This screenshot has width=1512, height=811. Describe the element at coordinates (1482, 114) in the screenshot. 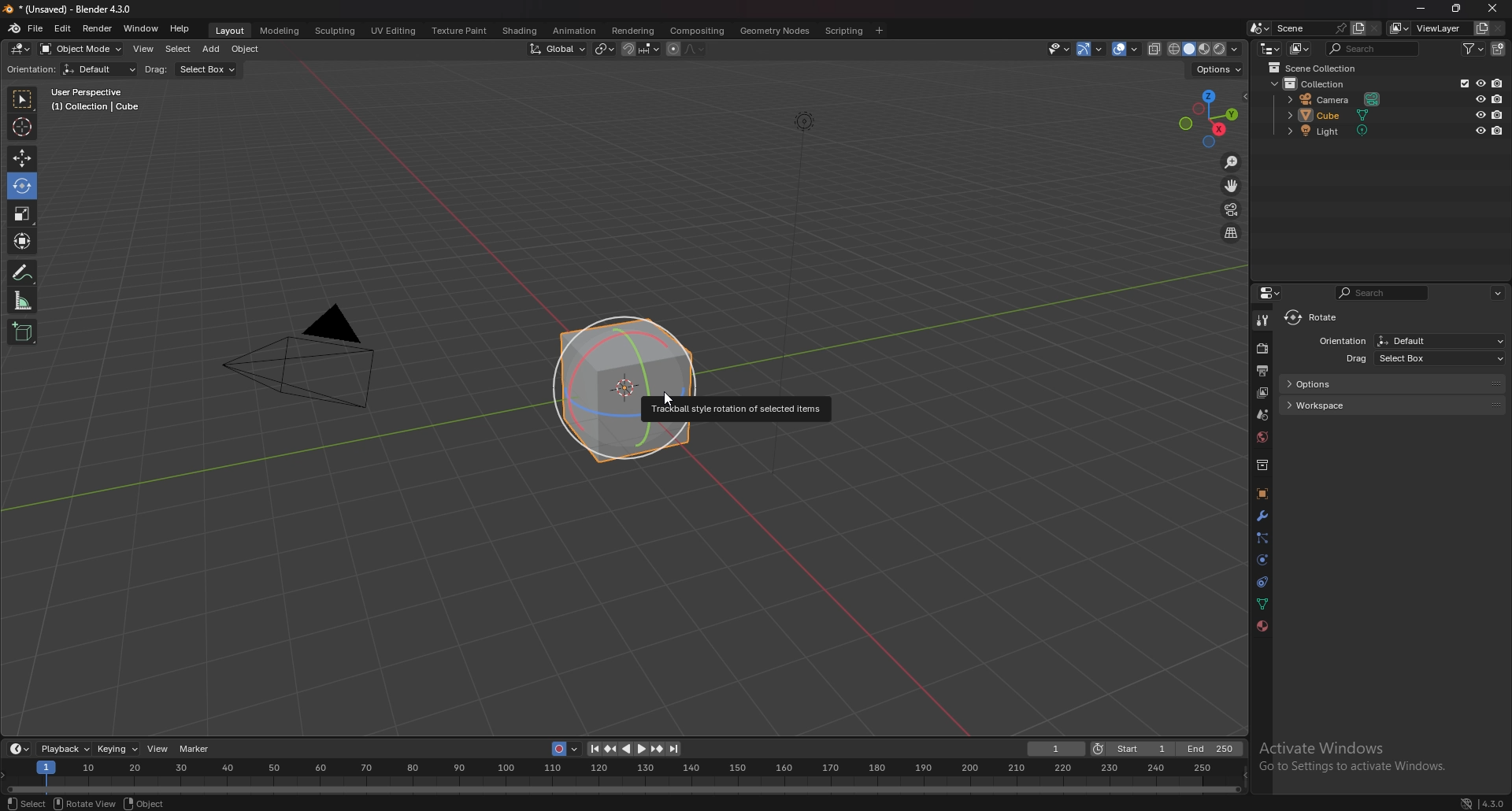

I see `hide in view port` at that location.